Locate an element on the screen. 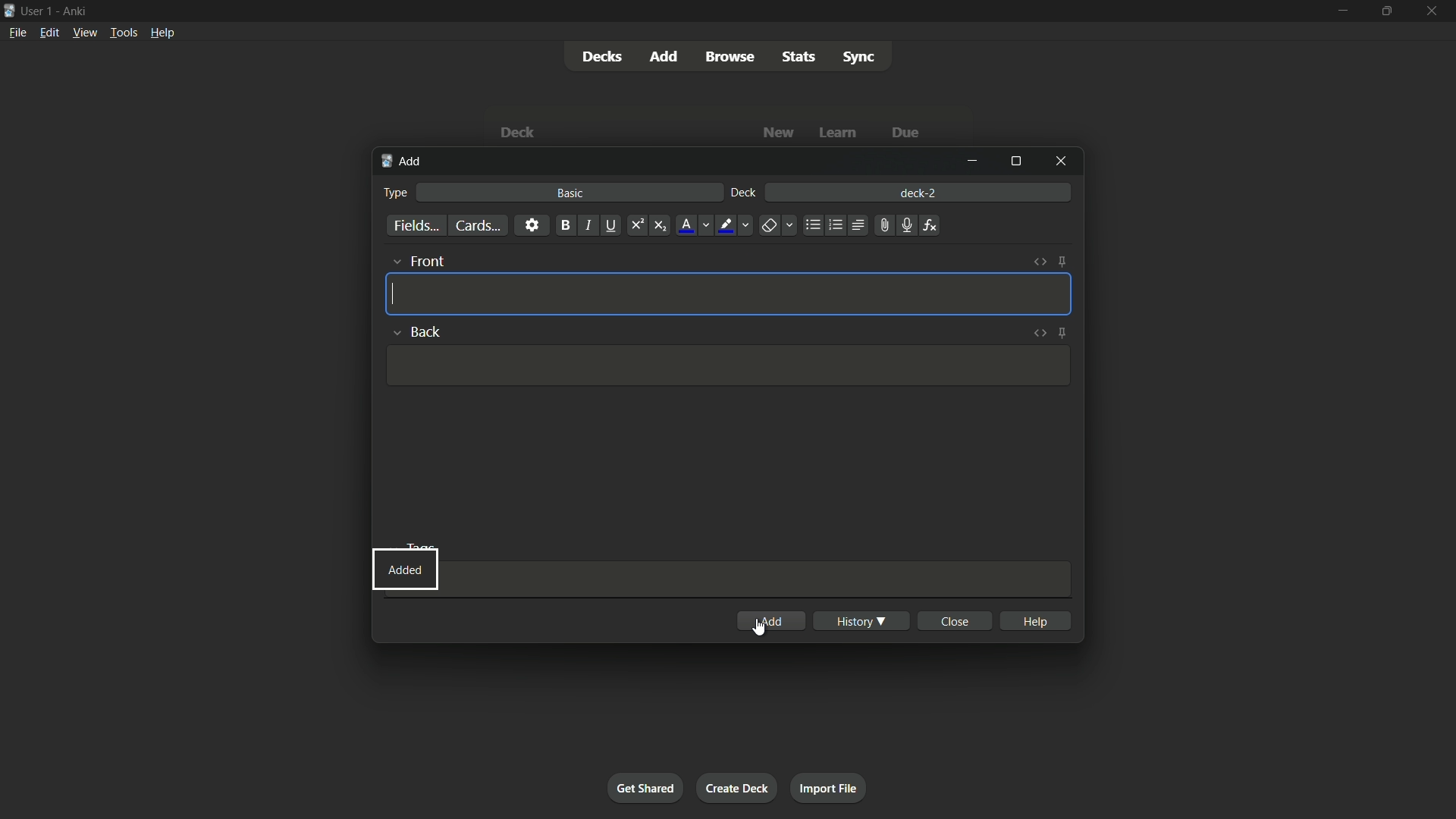 Image resolution: width=1456 pixels, height=819 pixels. toggle sticky is located at coordinates (1062, 332).